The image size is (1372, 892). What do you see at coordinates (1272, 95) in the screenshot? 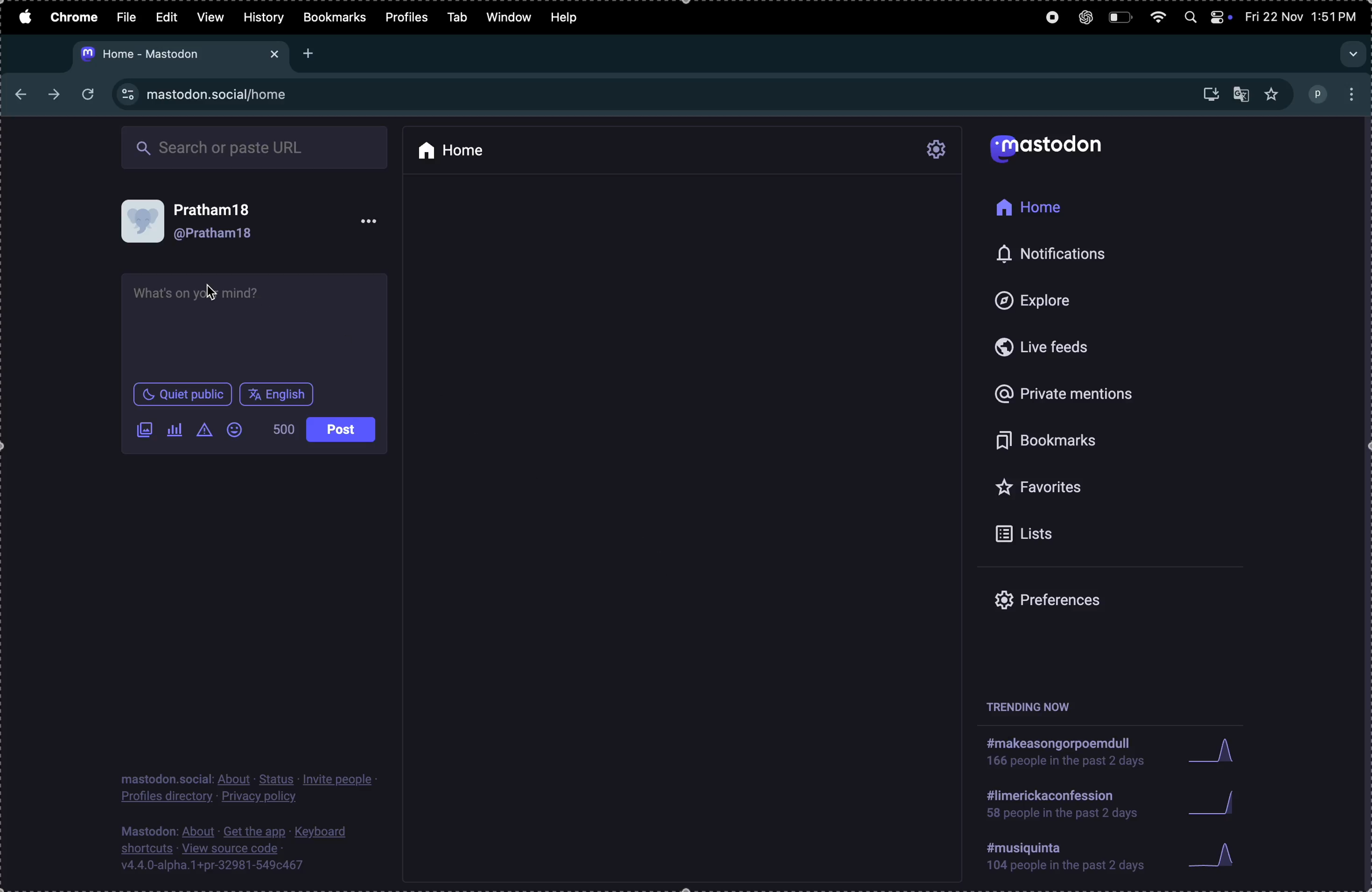
I see `favourites` at bounding box center [1272, 95].